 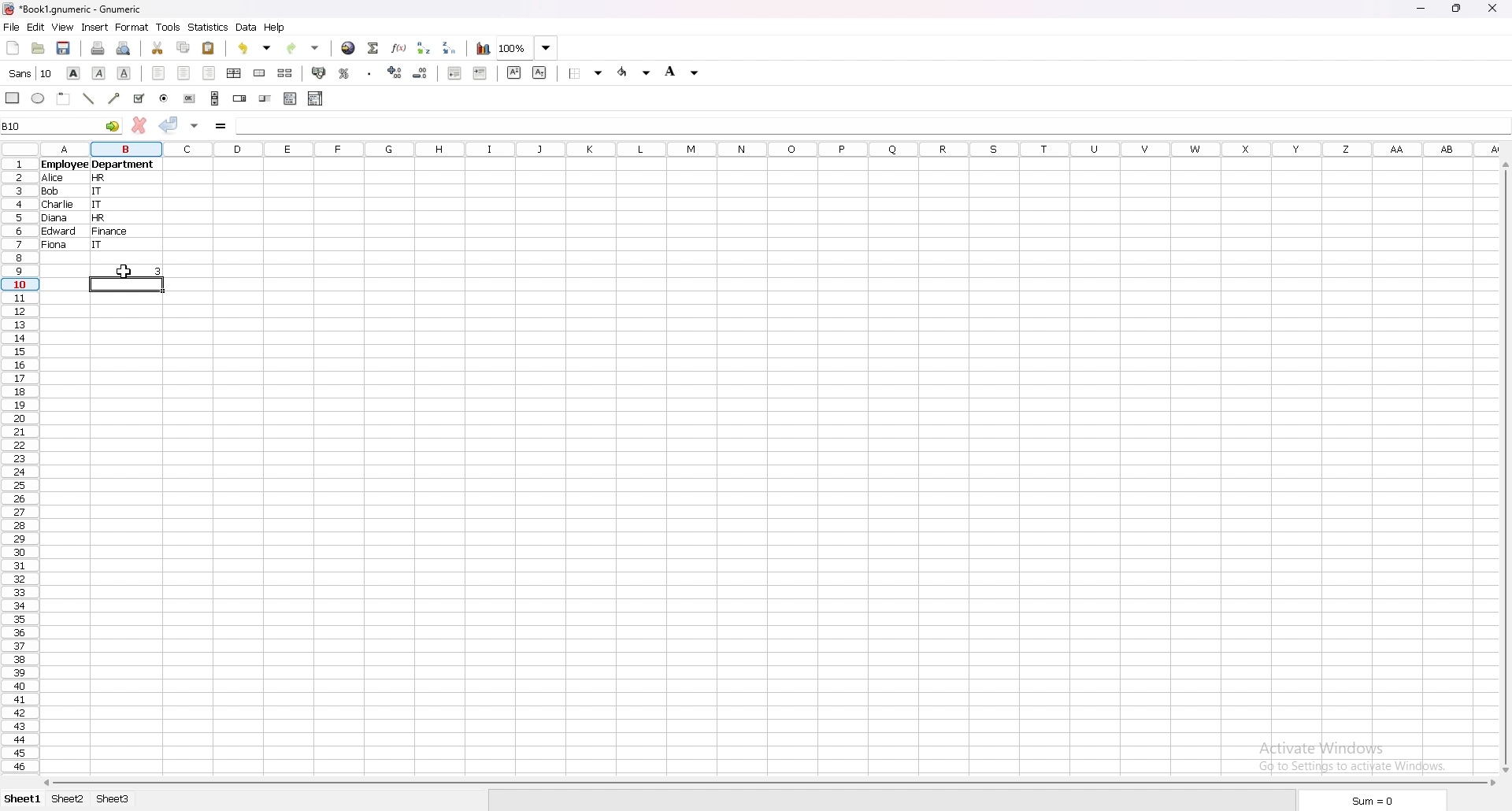 What do you see at coordinates (254, 49) in the screenshot?
I see `undo` at bounding box center [254, 49].